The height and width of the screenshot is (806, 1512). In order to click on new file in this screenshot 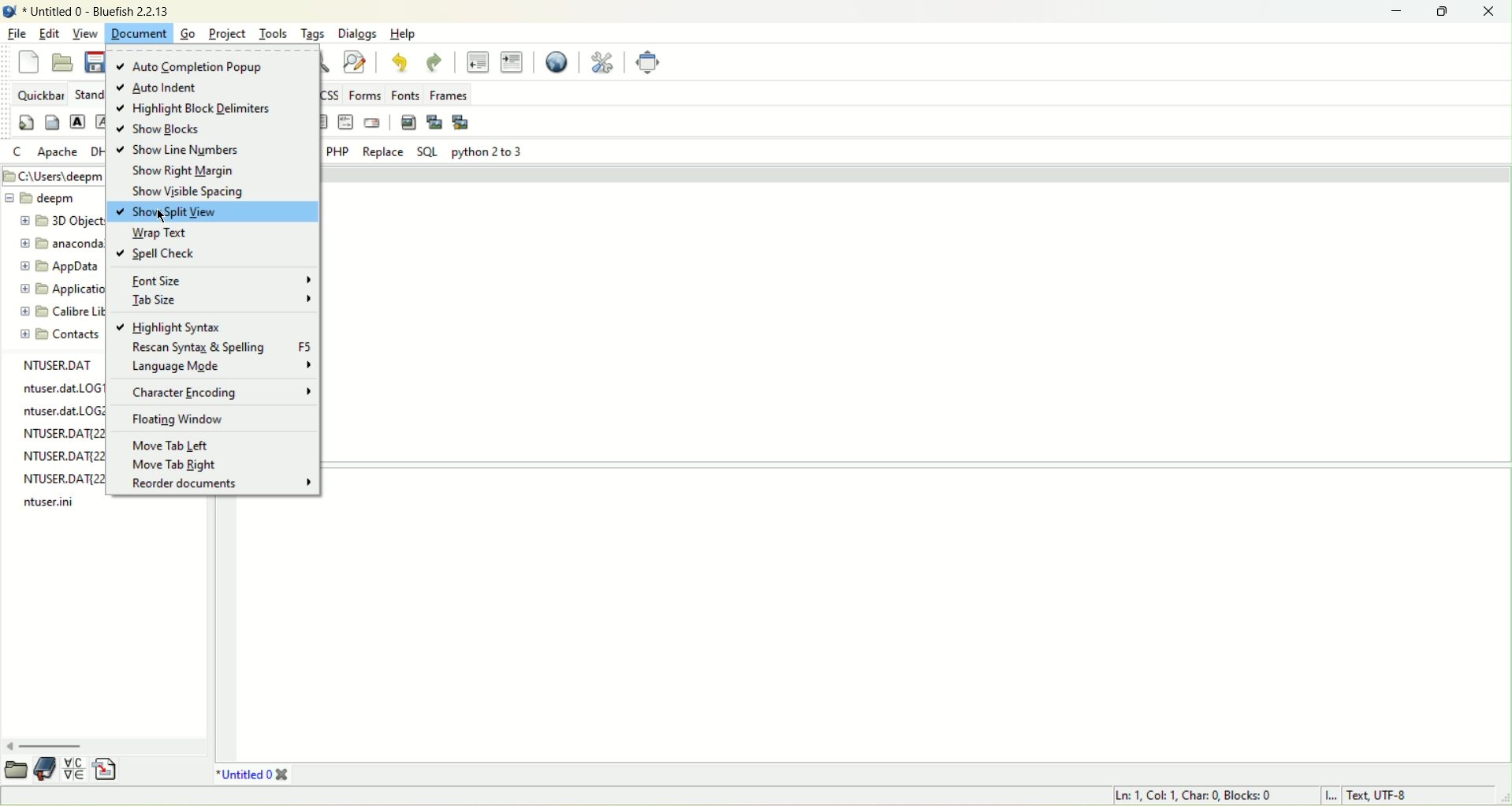, I will do `click(30, 62)`.